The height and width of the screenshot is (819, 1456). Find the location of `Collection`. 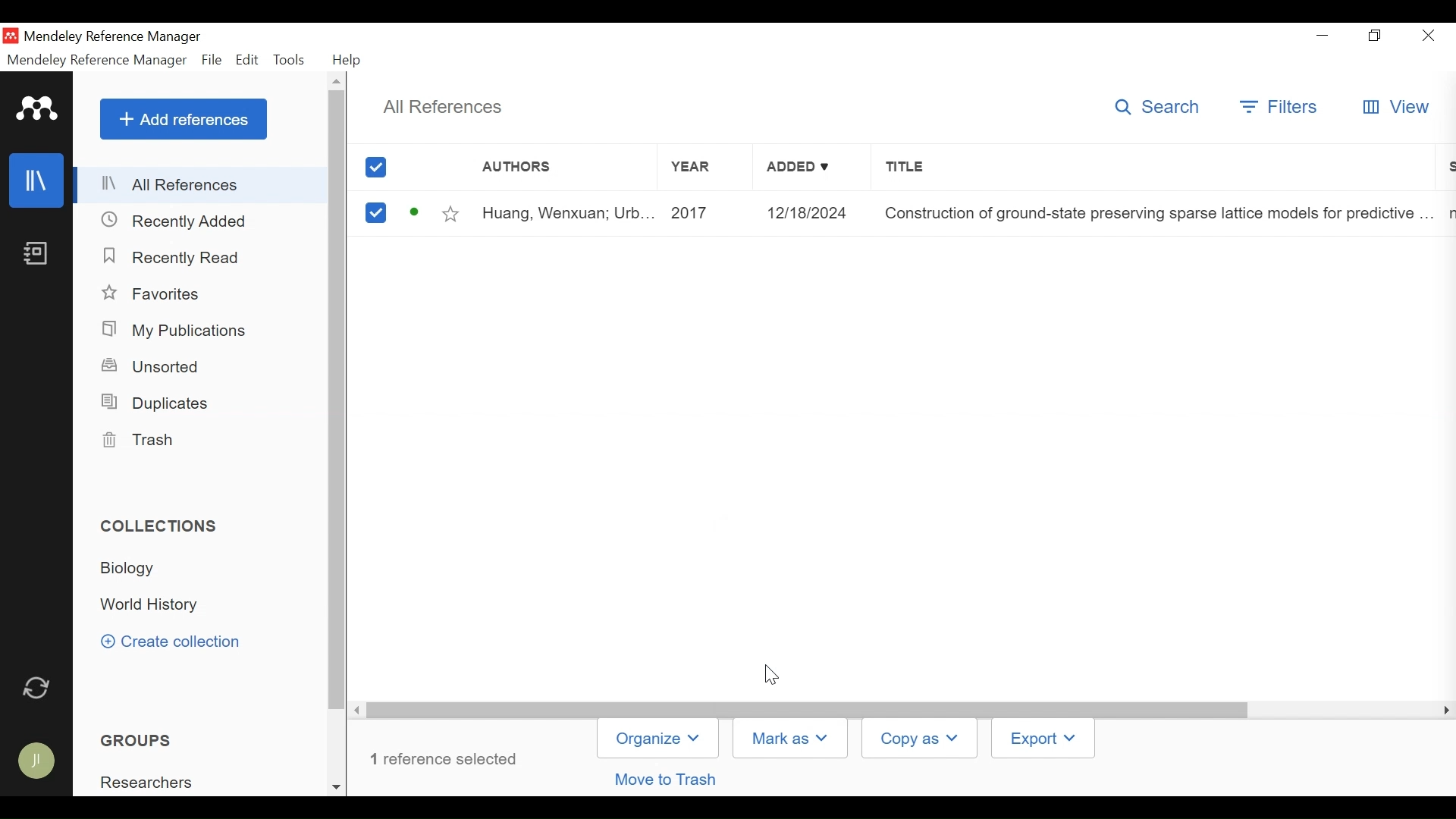

Collection is located at coordinates (149, 606).